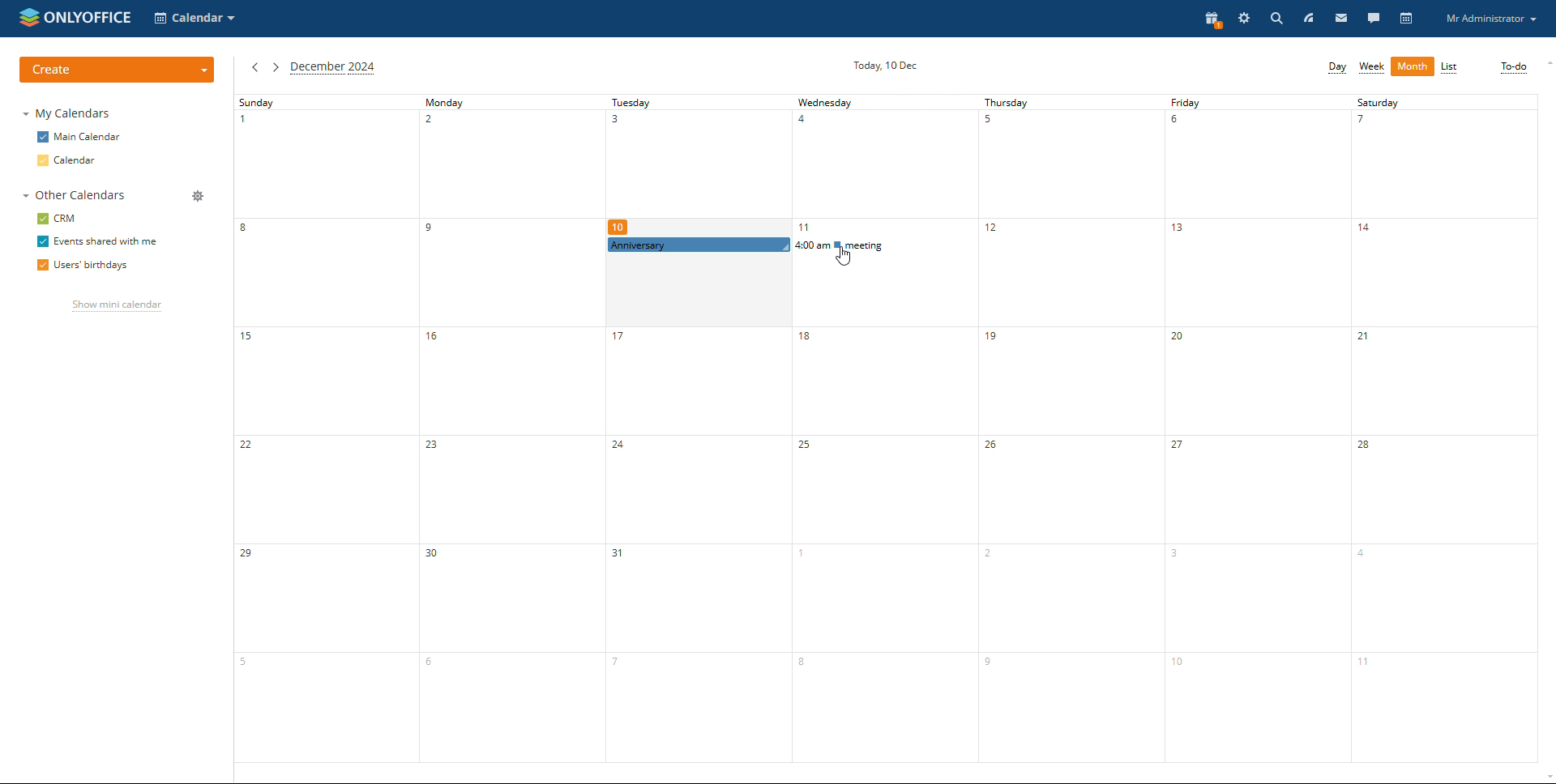  Describe the element at coordinates (27, 19) in the screenshot. I see `onlyoffice logo` at that location.